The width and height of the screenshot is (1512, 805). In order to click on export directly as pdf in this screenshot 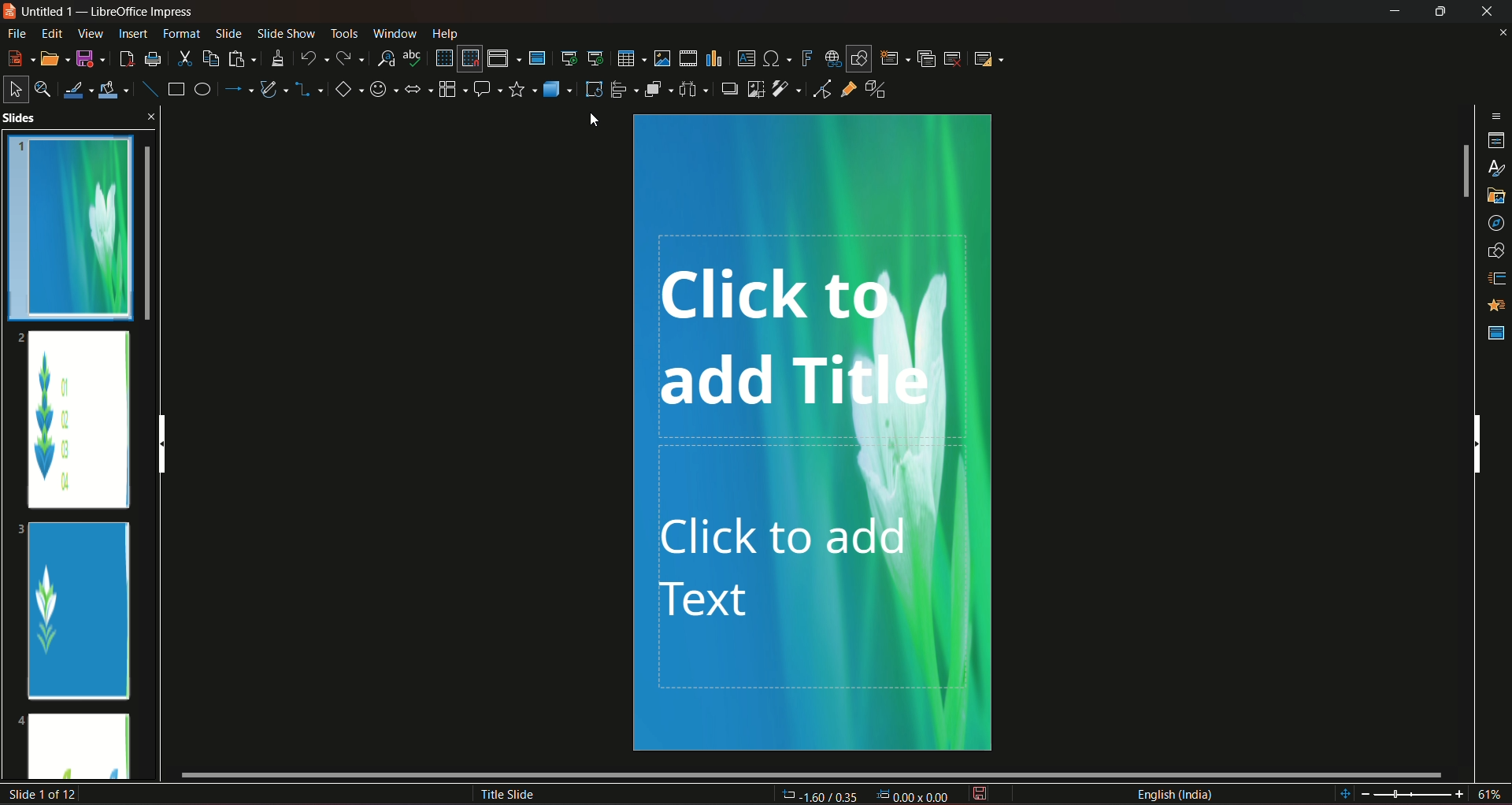, I will do `click(126, 57)`.